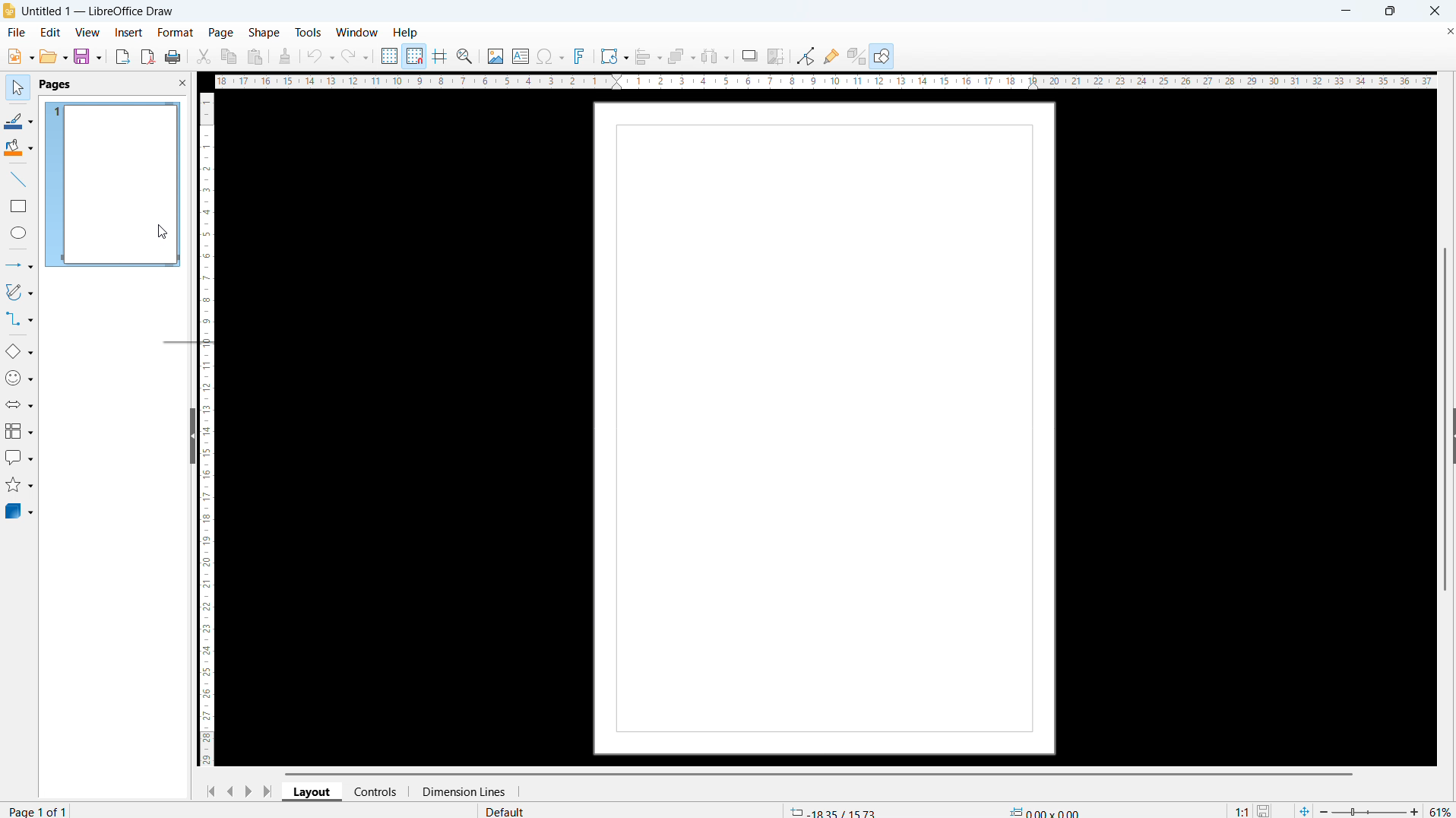 This screenshot has height=818, width=1456. What do you see at coordinates (286, 55) in the screenshot?
I see `clone formatting` at bounding box center [286, 55].